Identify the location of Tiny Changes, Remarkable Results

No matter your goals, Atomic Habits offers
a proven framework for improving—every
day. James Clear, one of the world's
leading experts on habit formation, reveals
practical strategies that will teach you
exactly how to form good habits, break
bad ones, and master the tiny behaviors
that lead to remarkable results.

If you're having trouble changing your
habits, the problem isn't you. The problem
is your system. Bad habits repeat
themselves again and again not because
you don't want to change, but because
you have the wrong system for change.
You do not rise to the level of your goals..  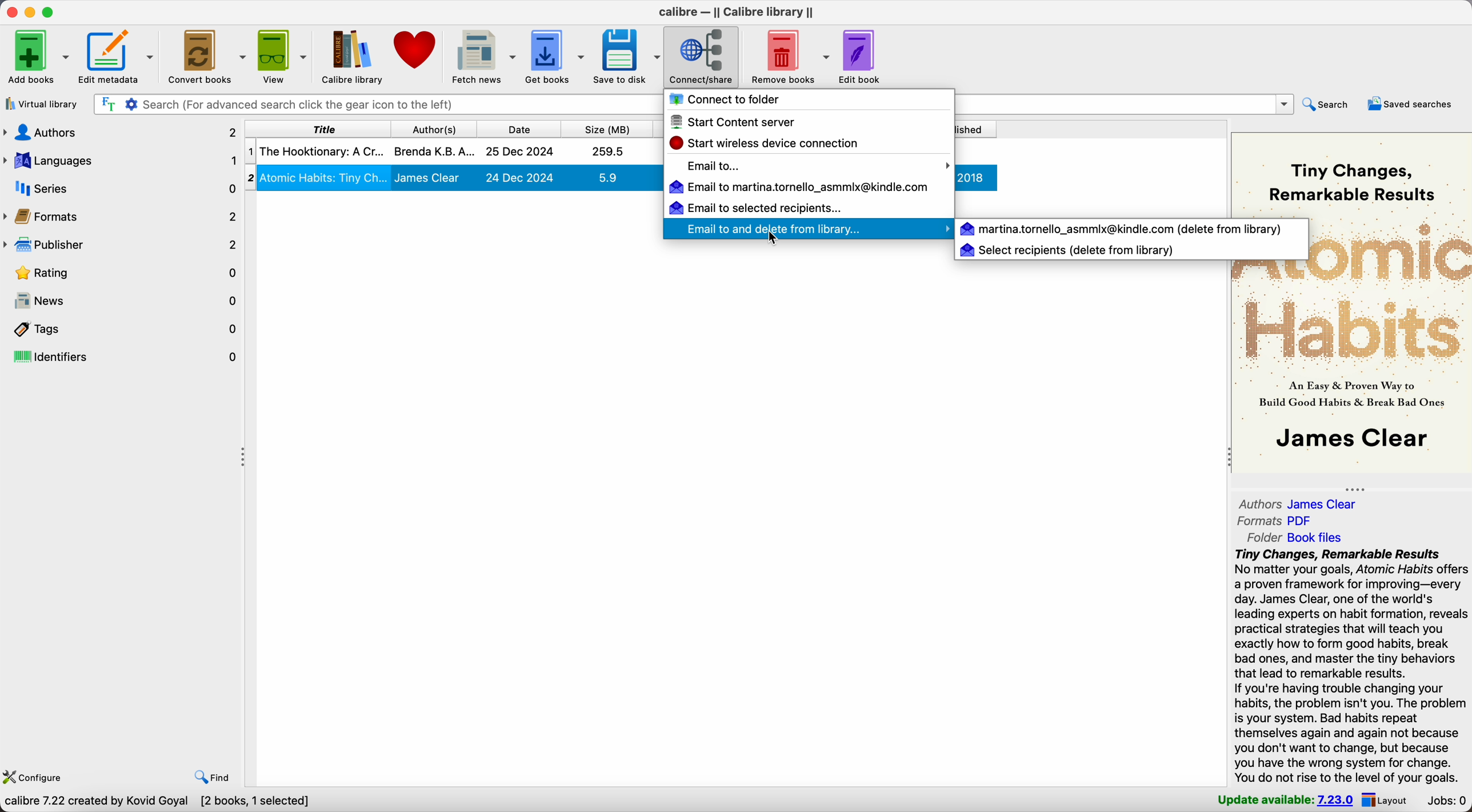
(1350, 667).